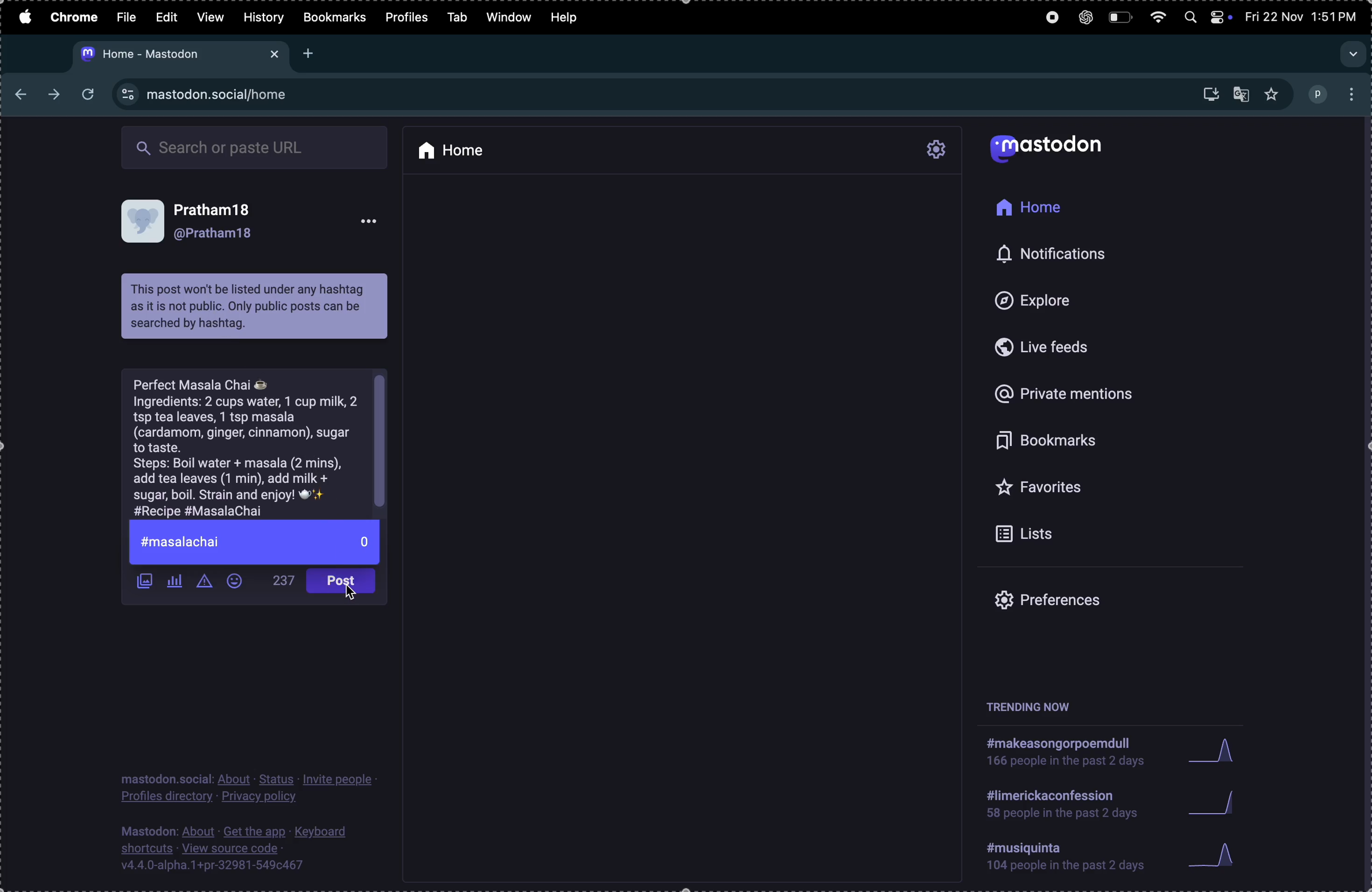 The image size is (1372, 892). What do you see at coordinates (339, 582) in the screenshot?
I see `post` at bounding box center [339, 582].